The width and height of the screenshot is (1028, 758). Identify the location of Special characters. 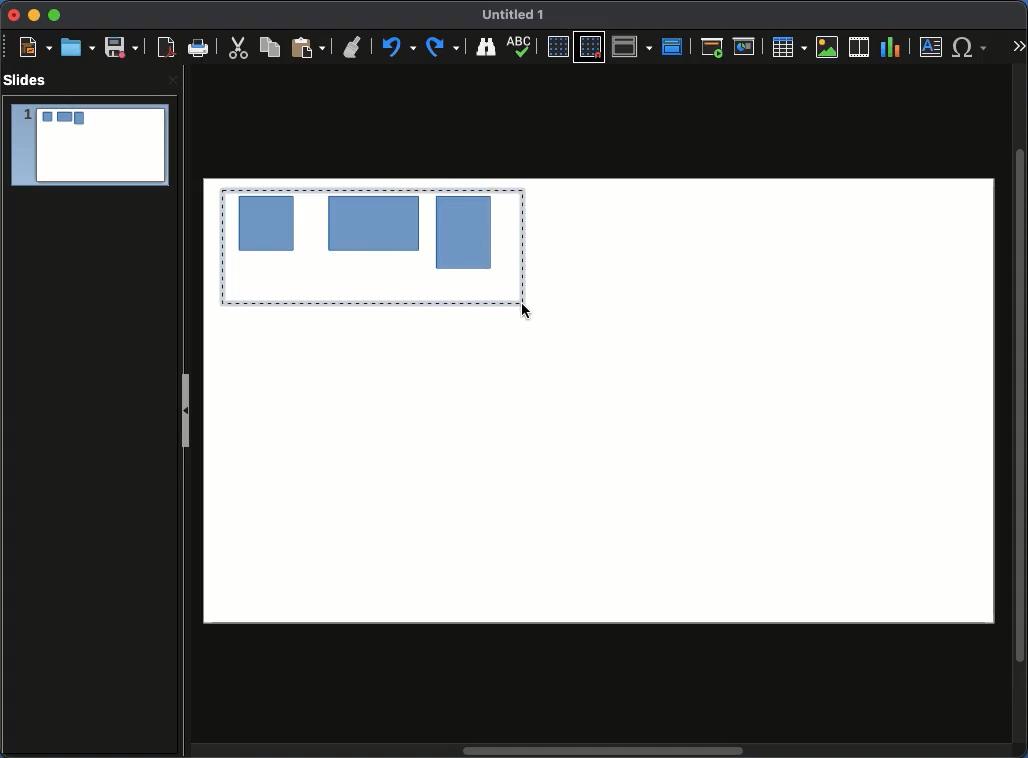
(970, 47).